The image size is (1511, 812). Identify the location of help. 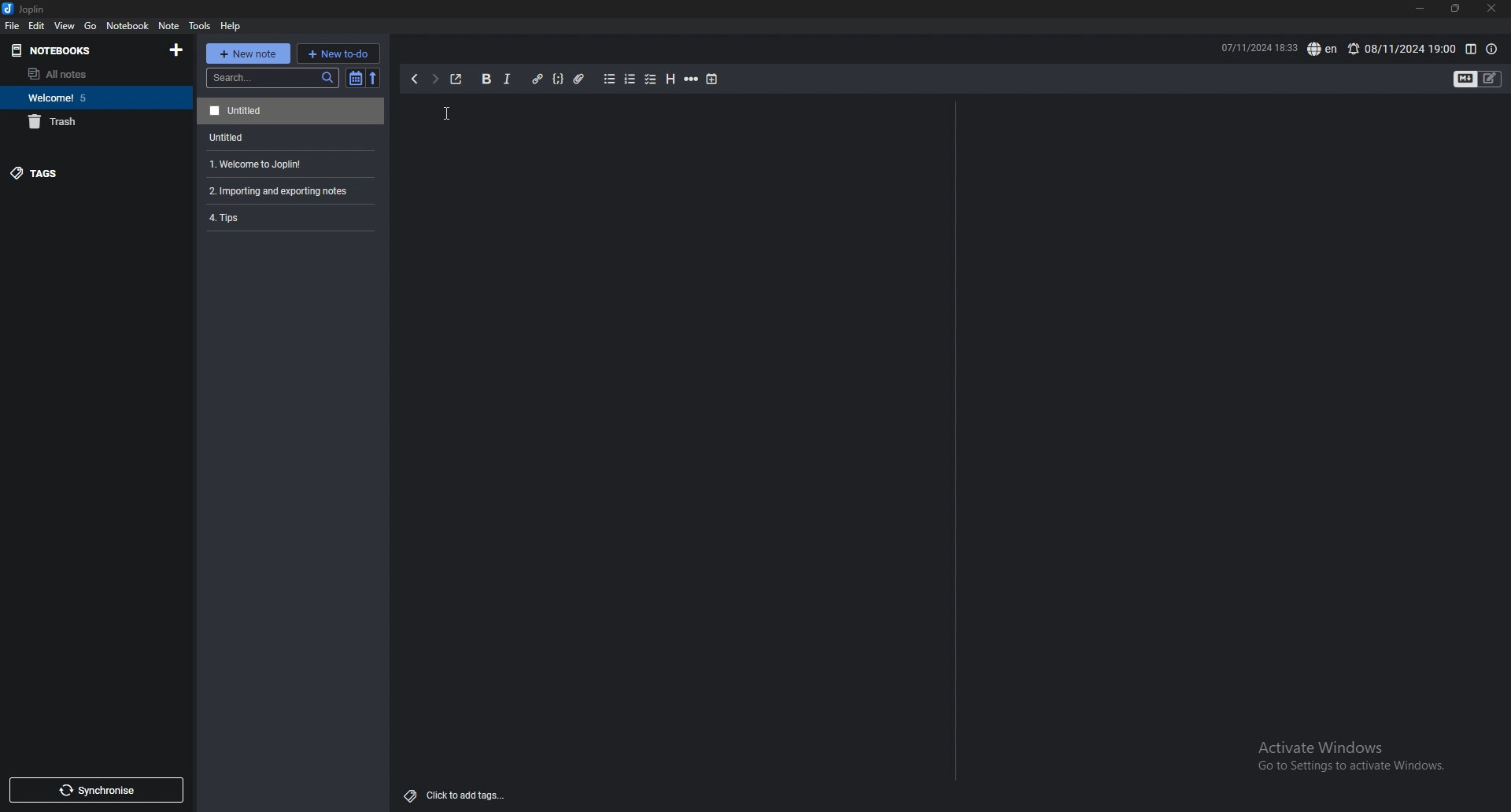
(231, 26).